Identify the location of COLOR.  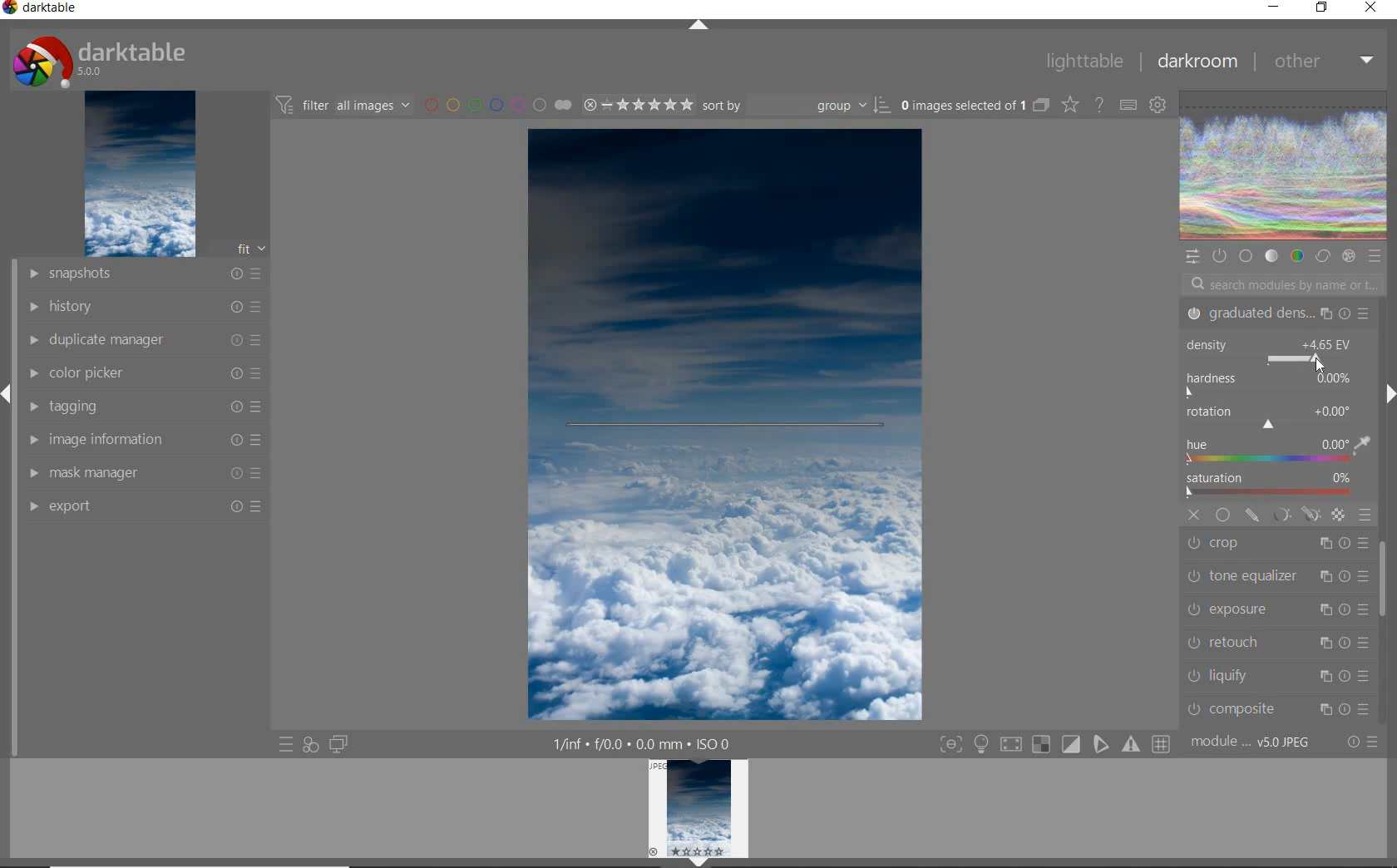
(1296, 257).